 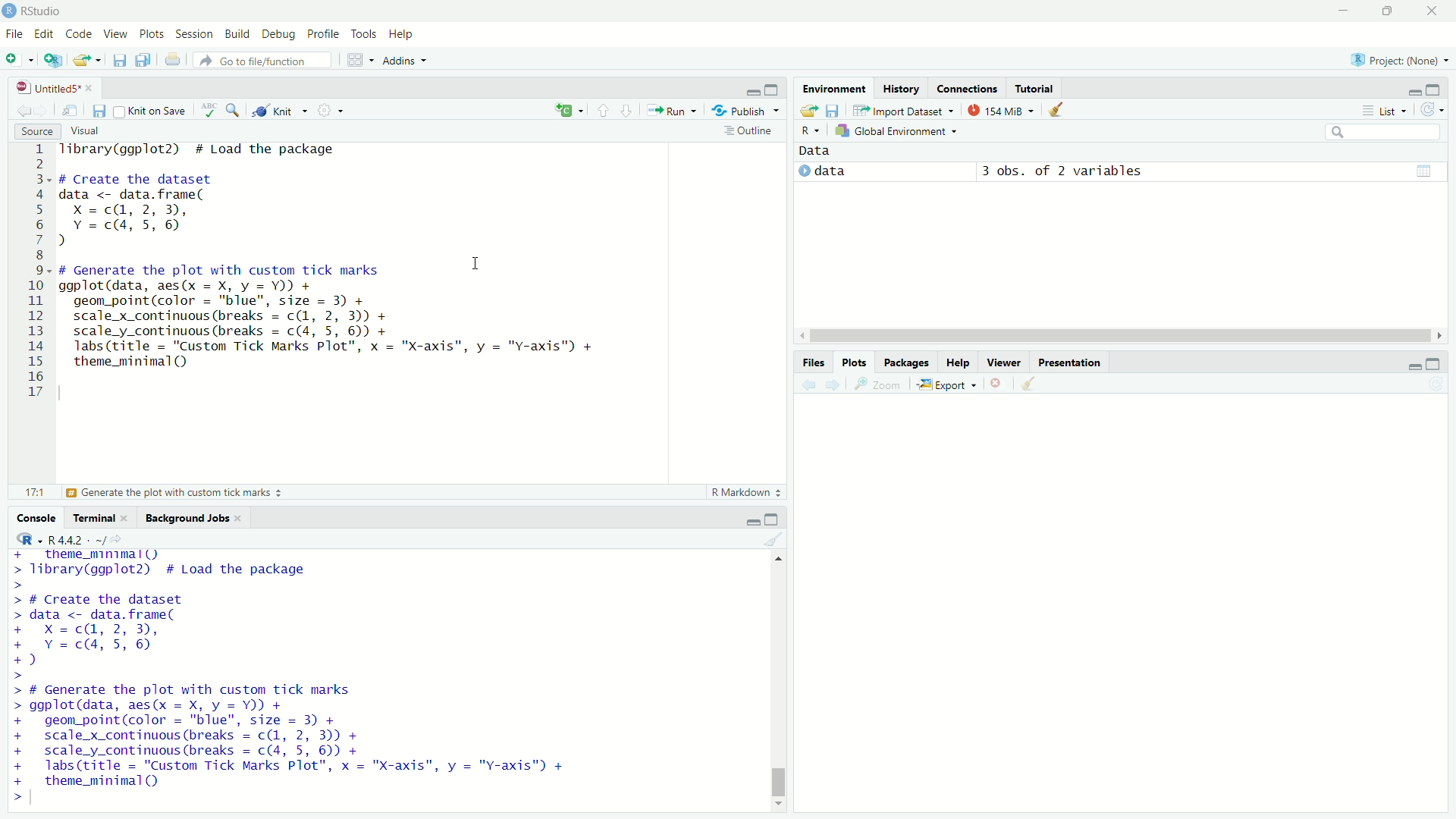 What do you see at coordinates (19, 60) in the screenshot?
I see `new file` at bounding box center [19, 60].